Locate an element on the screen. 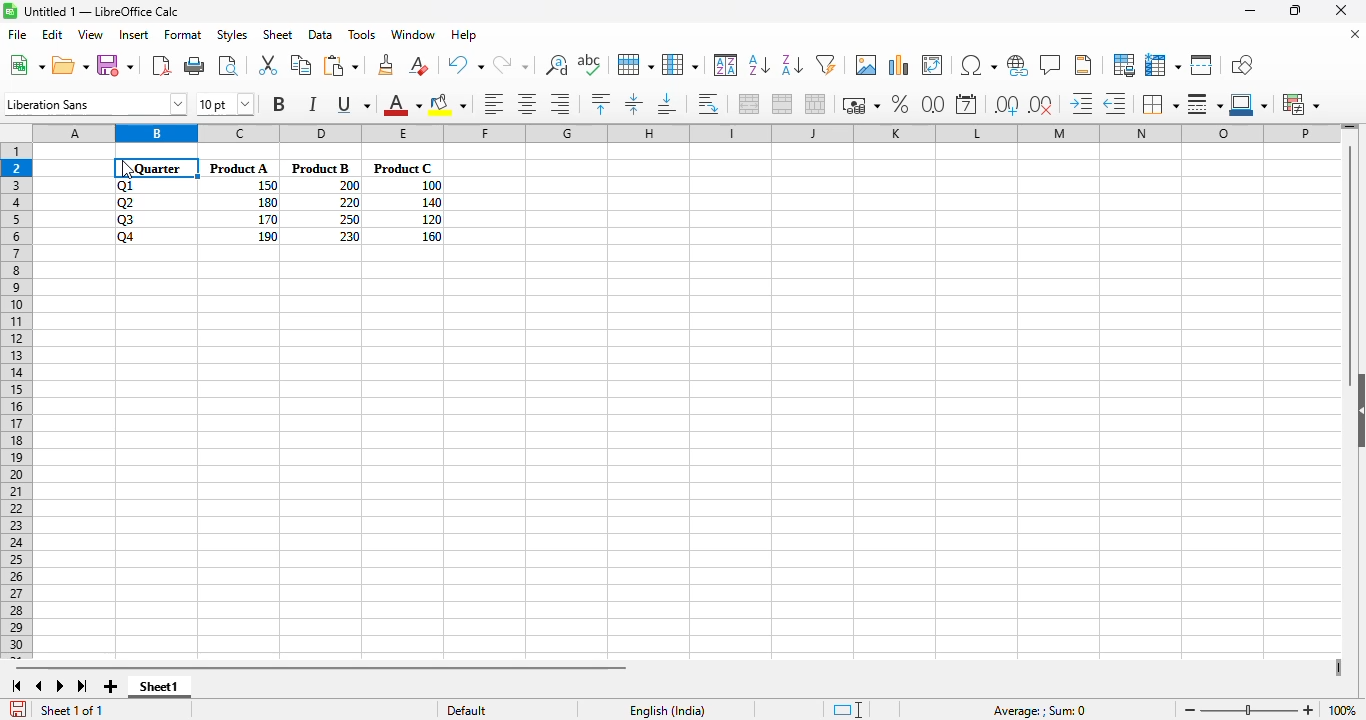  underline is located at coordinates (352, 104).